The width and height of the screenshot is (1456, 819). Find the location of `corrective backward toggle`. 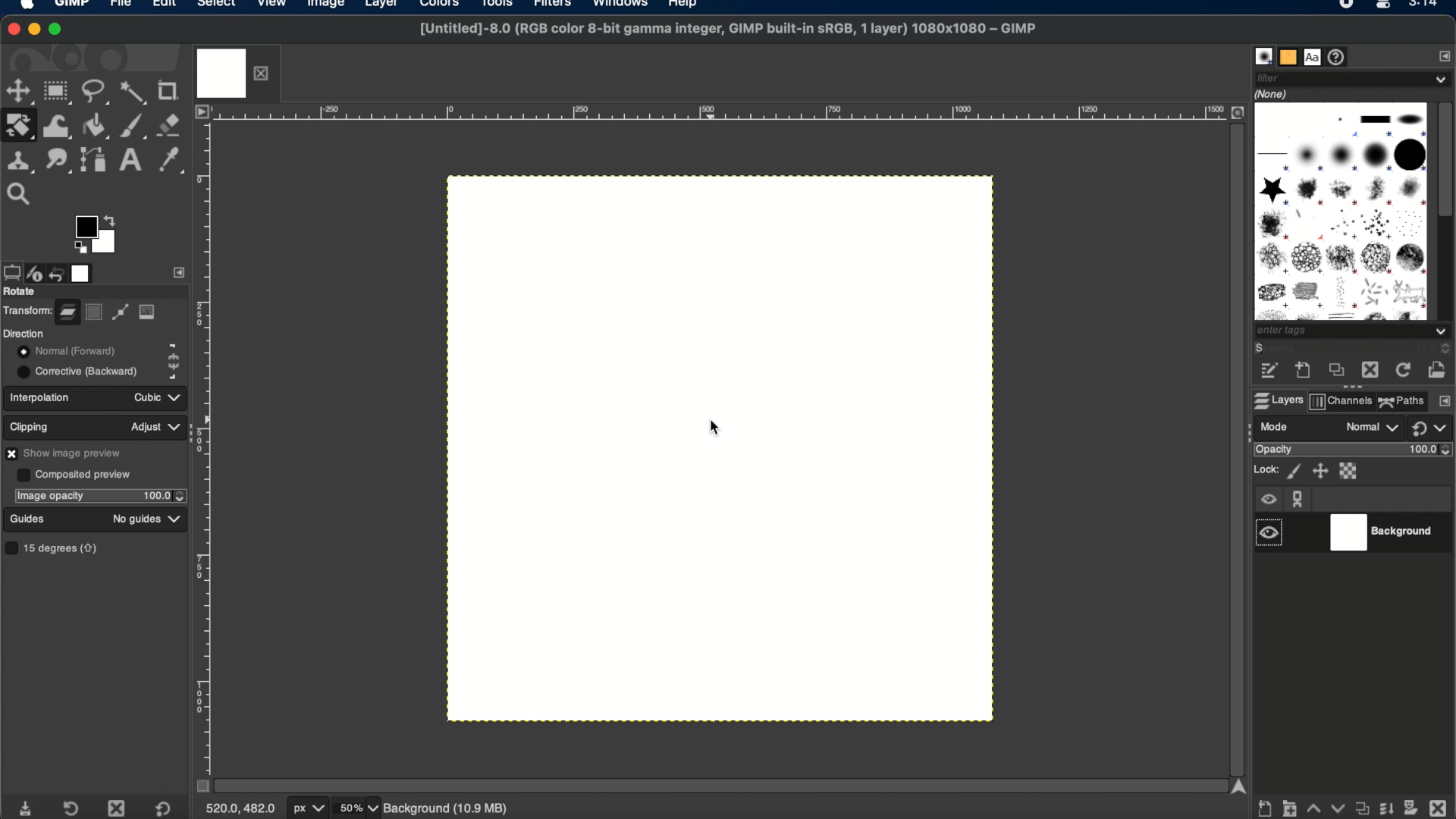

corrective backward toggle is located at coordinates (79, 371).